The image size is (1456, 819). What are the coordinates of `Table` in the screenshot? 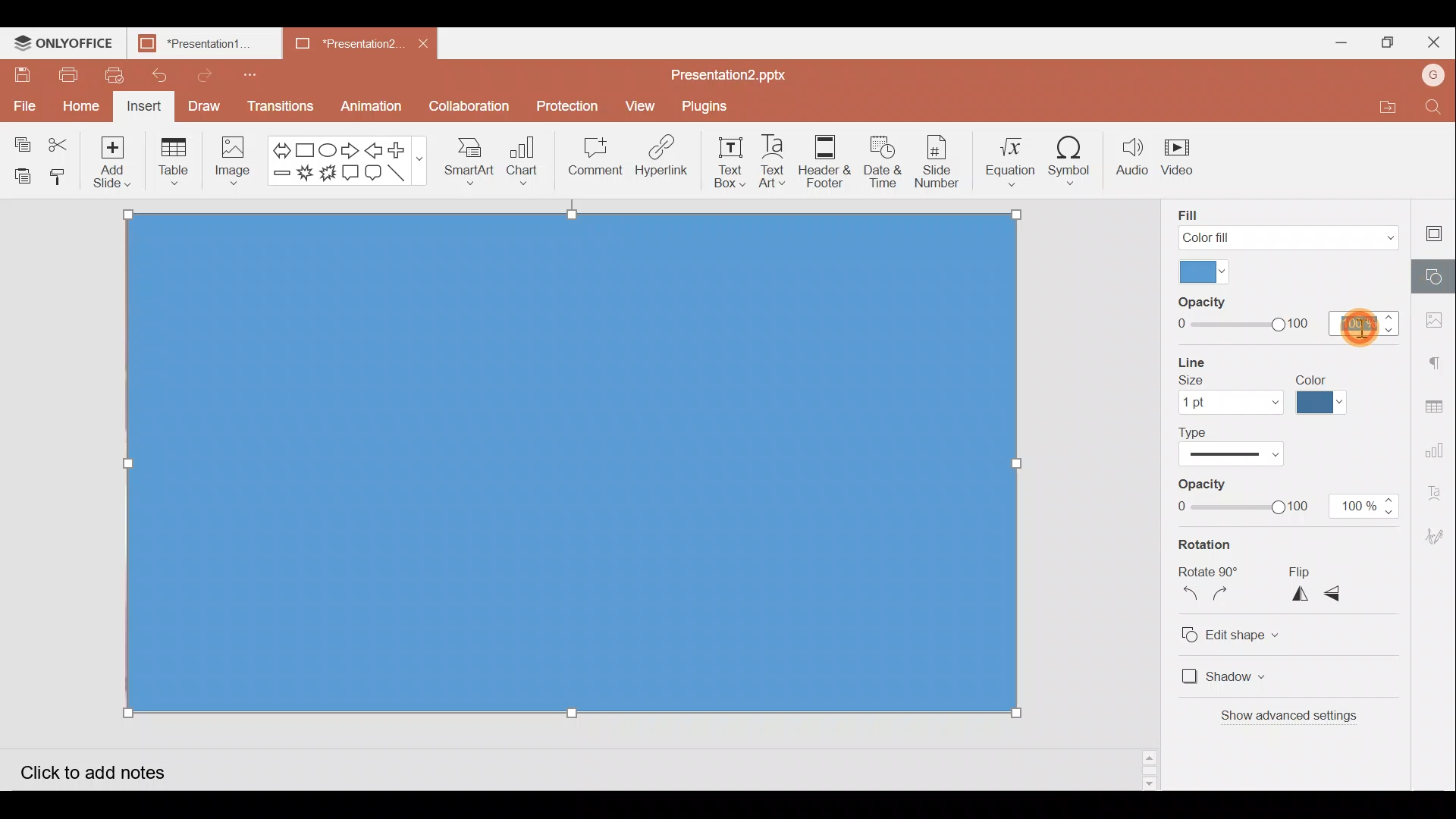 It's located at (177, 160).